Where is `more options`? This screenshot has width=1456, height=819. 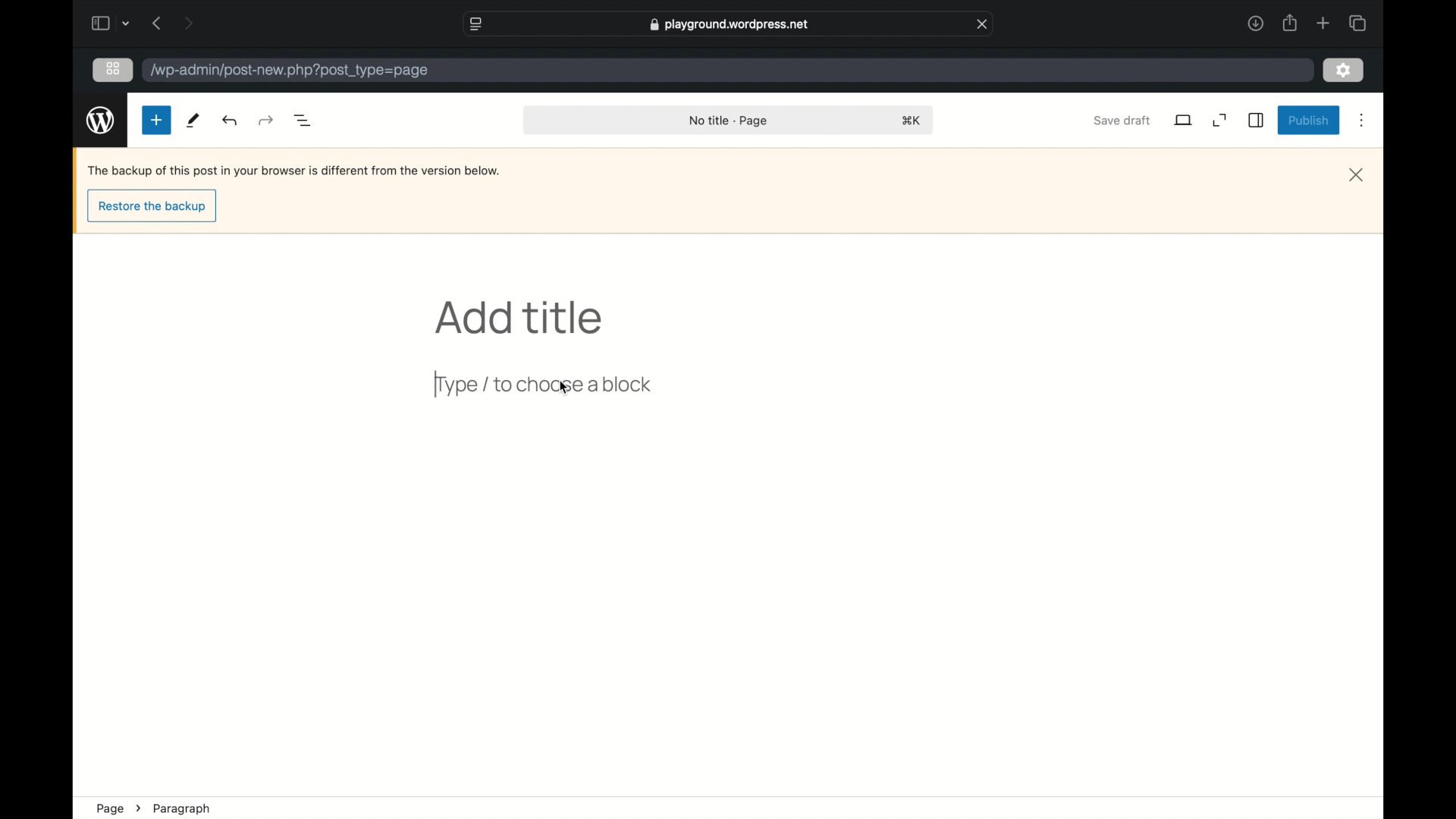 more options is located at coordinates (1363, 121).